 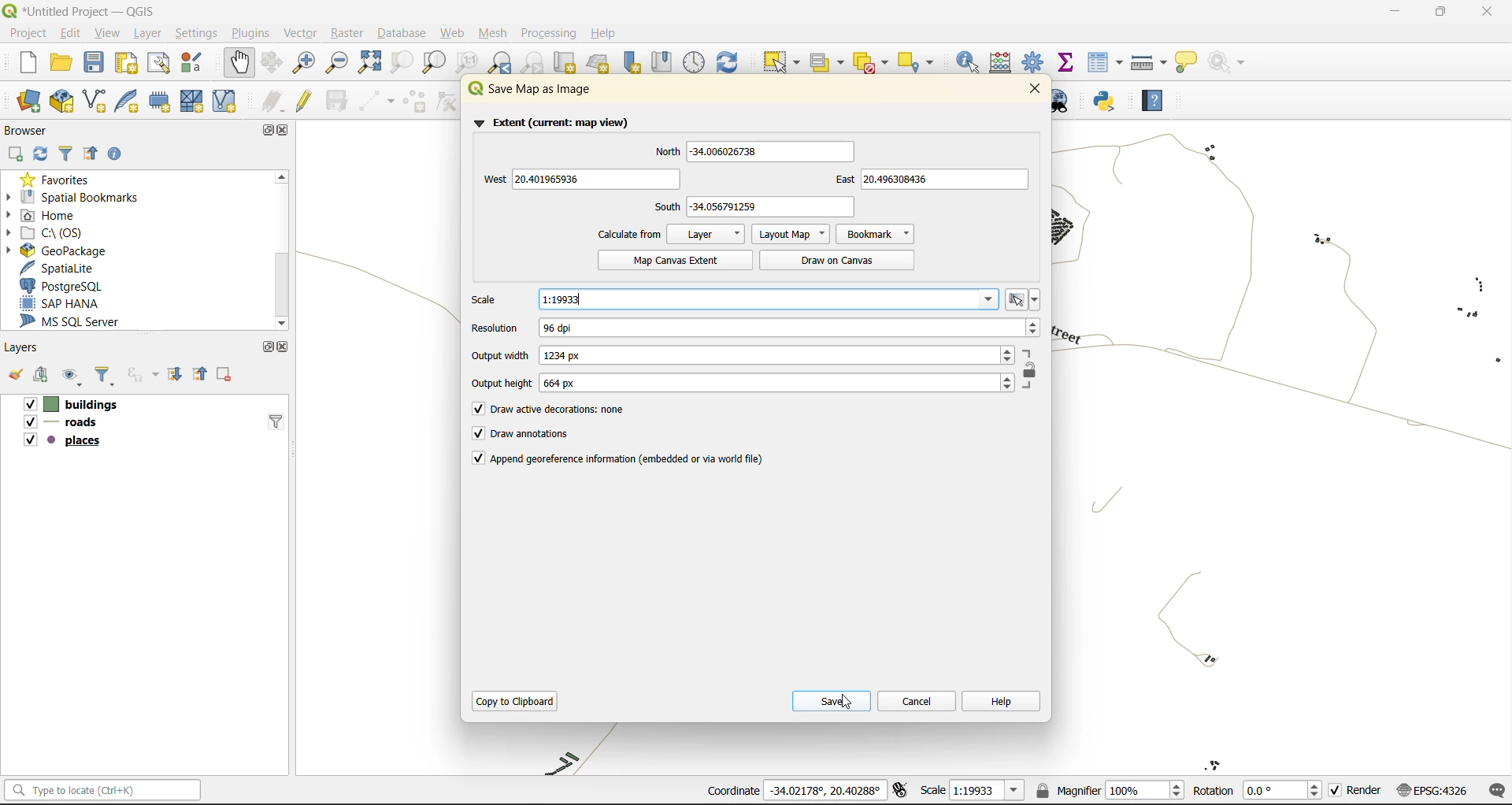 I want to click on new shapefile, so click(x=94, y=102).